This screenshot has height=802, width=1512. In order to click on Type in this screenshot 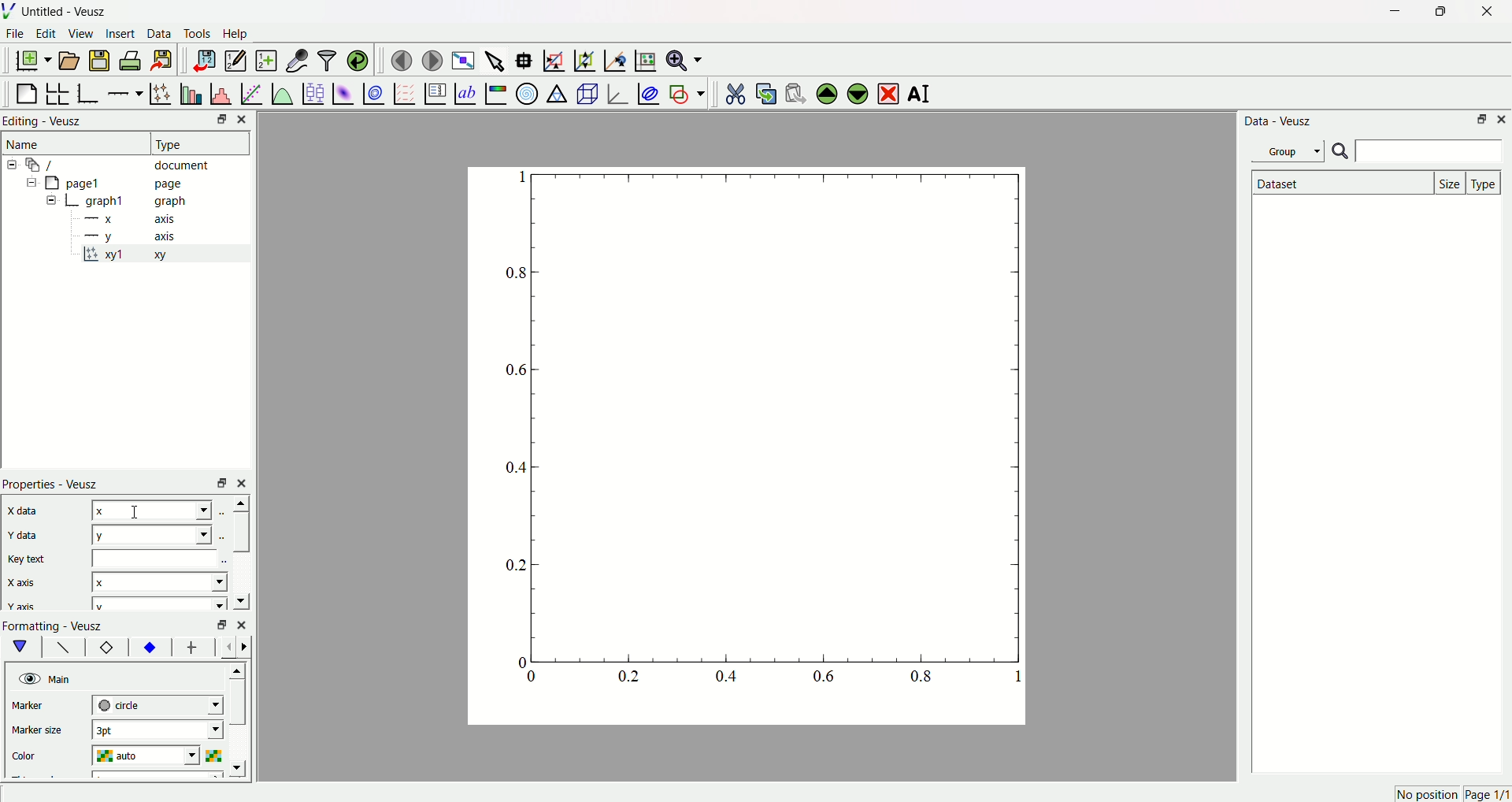, I will do `click(1485, 182)`.